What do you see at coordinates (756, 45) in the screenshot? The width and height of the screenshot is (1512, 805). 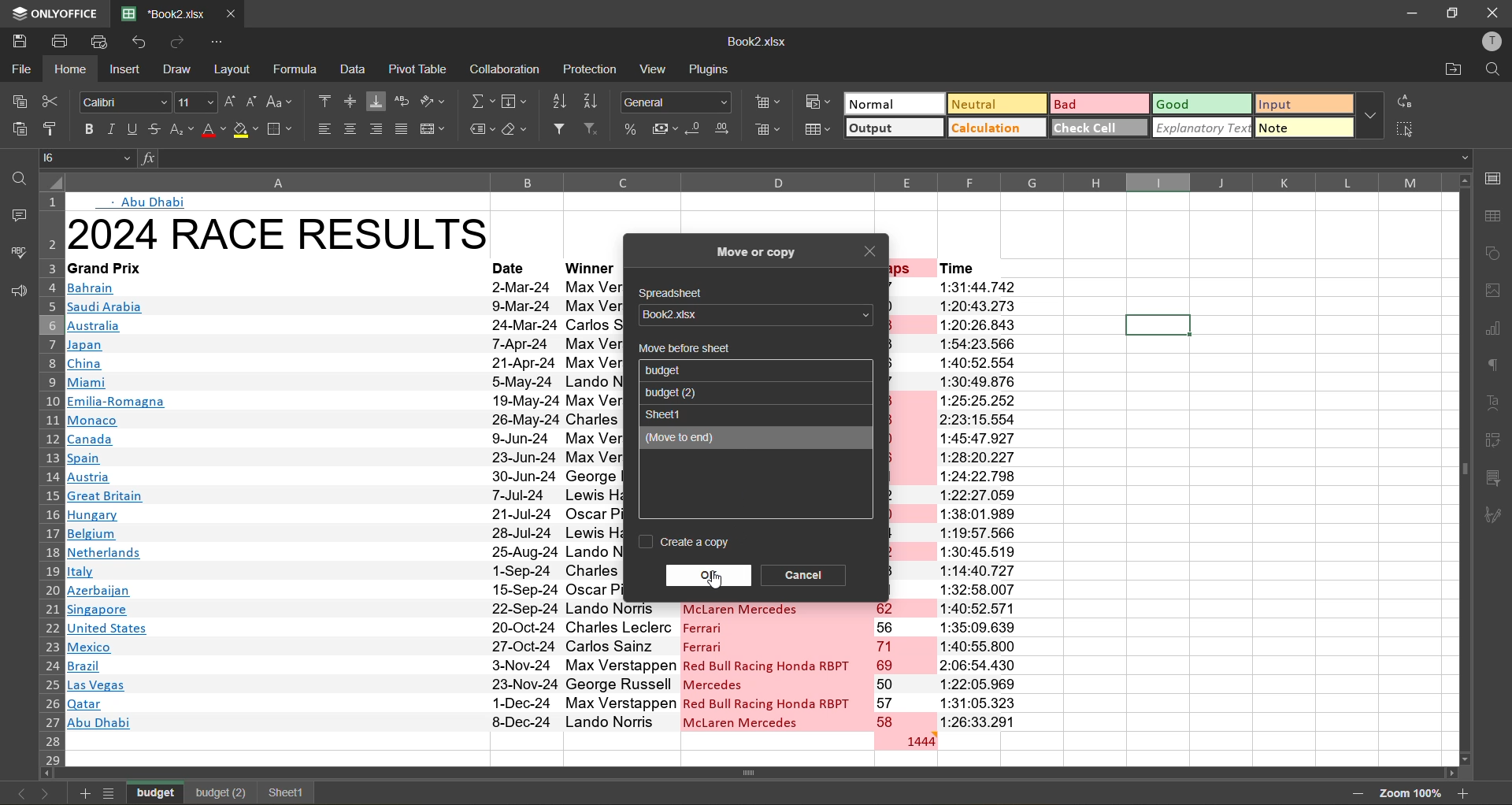 I see `file name` at bounding box center [756, 45].